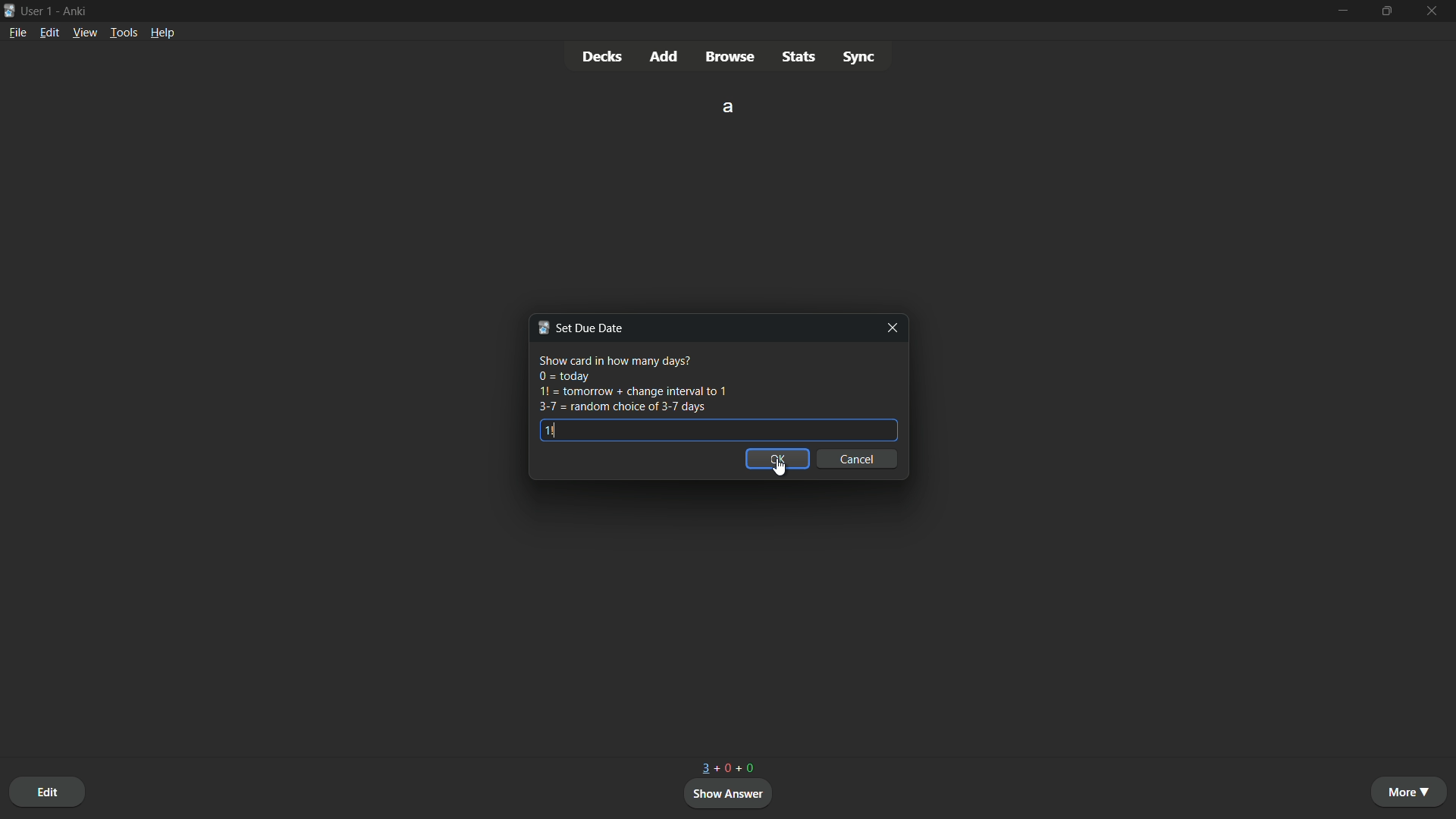 This screenshot has height=819, width=1456. What do you see at coordinates (730, 106) in the screenshot?
I see `a` at bounding box center [730, 106].